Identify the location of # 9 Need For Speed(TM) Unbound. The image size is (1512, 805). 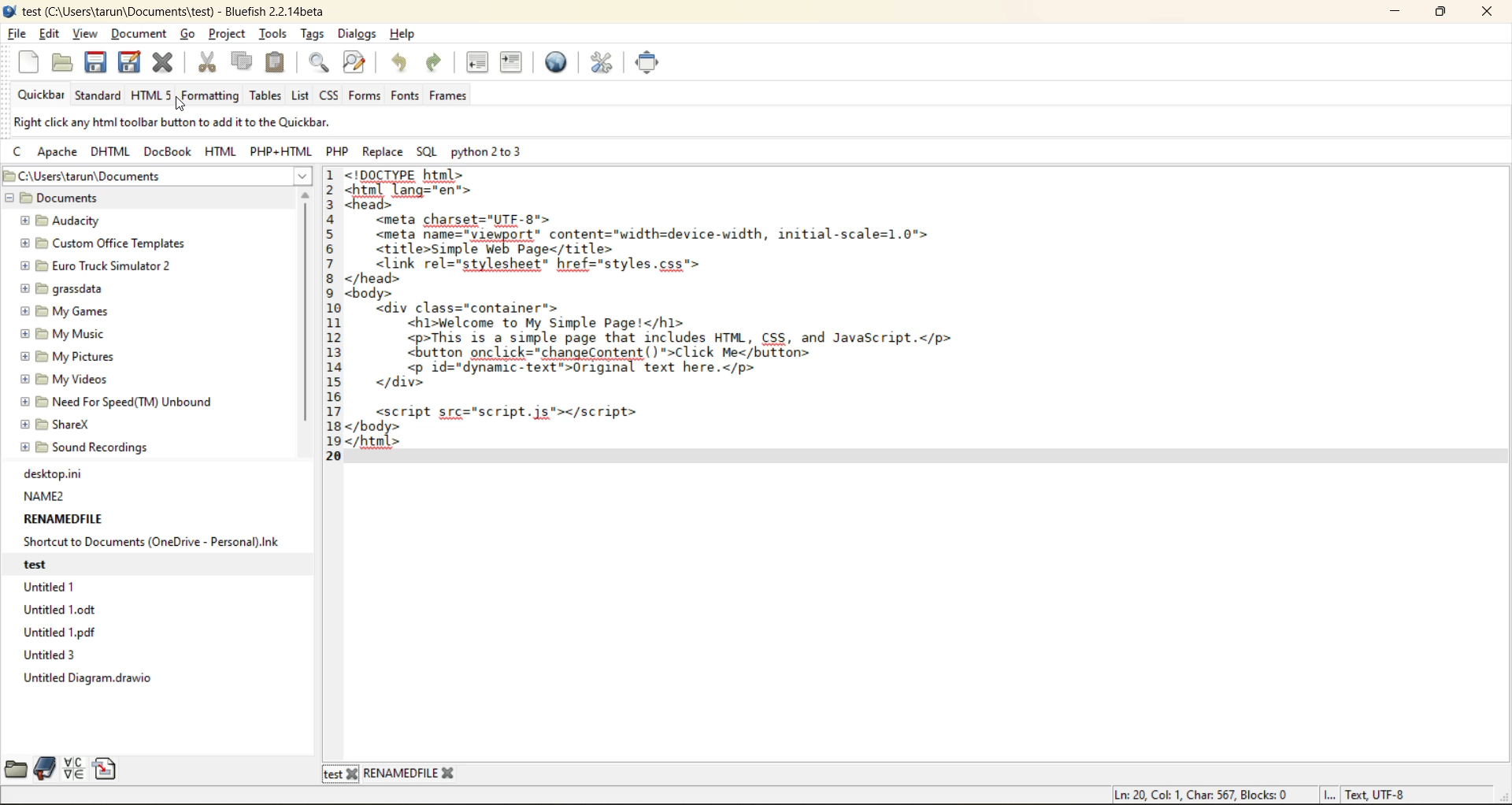
(112, 401).